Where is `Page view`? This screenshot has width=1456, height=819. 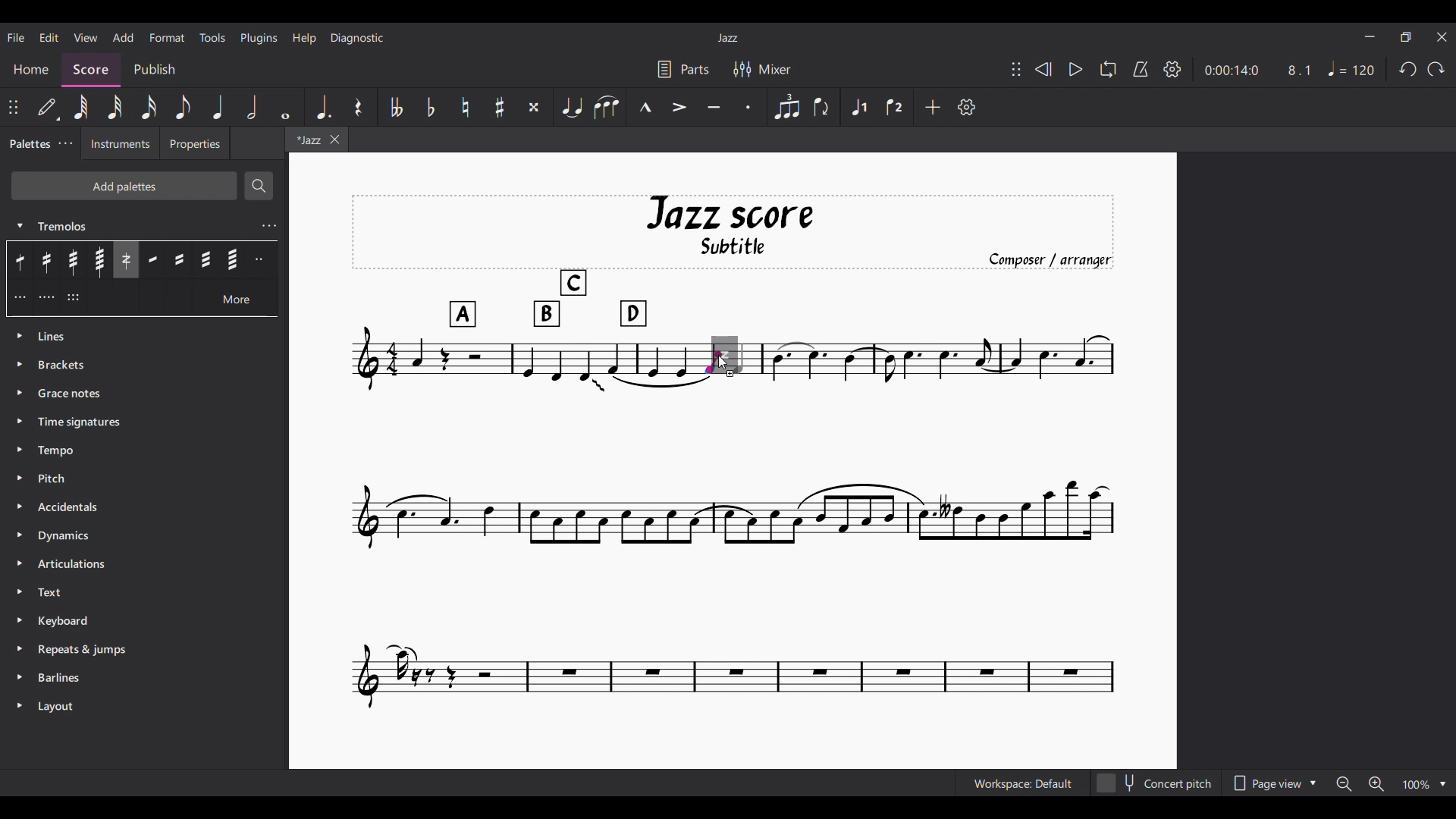 Page view is located at coordinates (1272, 783).